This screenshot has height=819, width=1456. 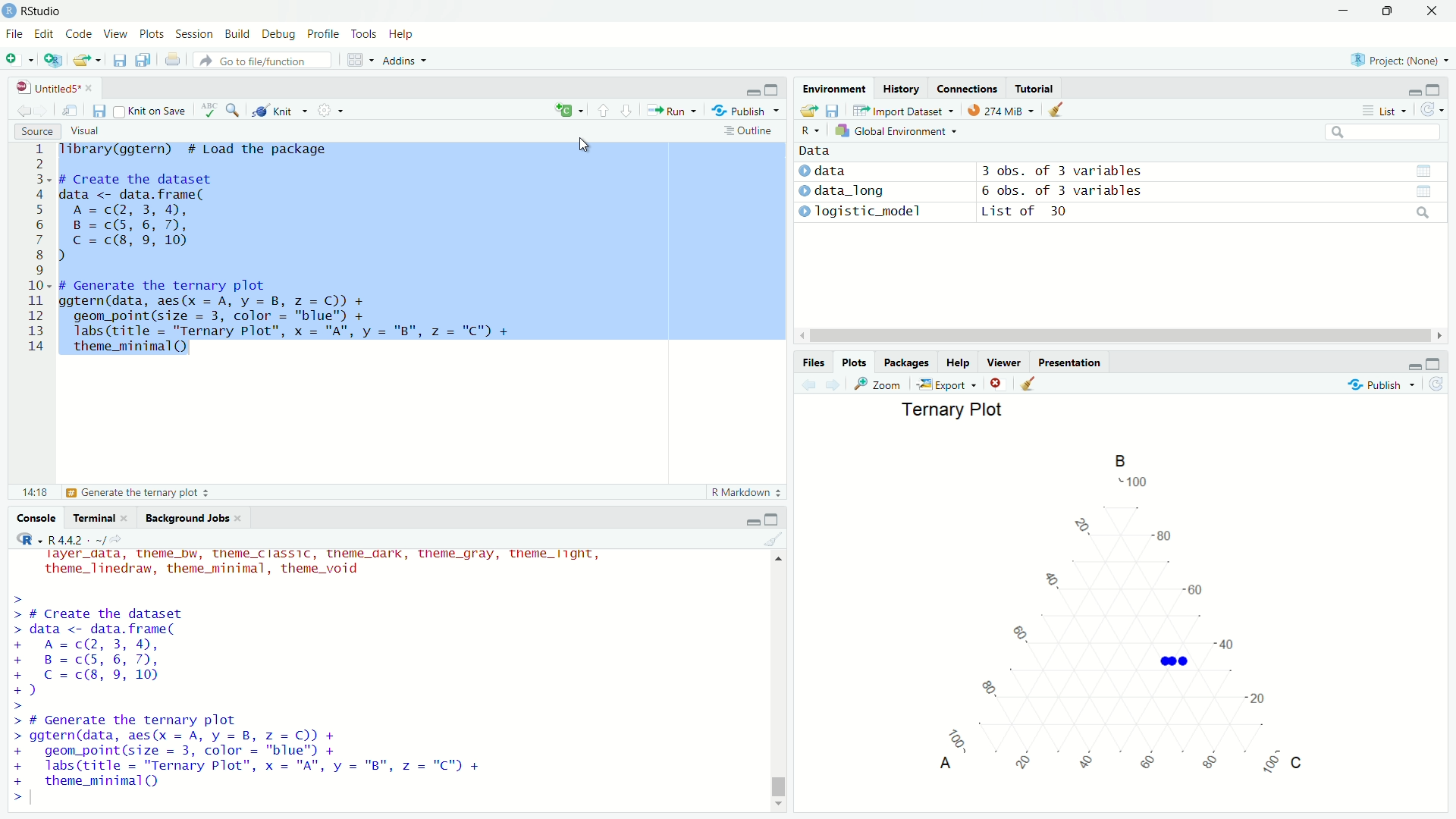 I want to click on R442 - ~, so click(x=68, y=539).